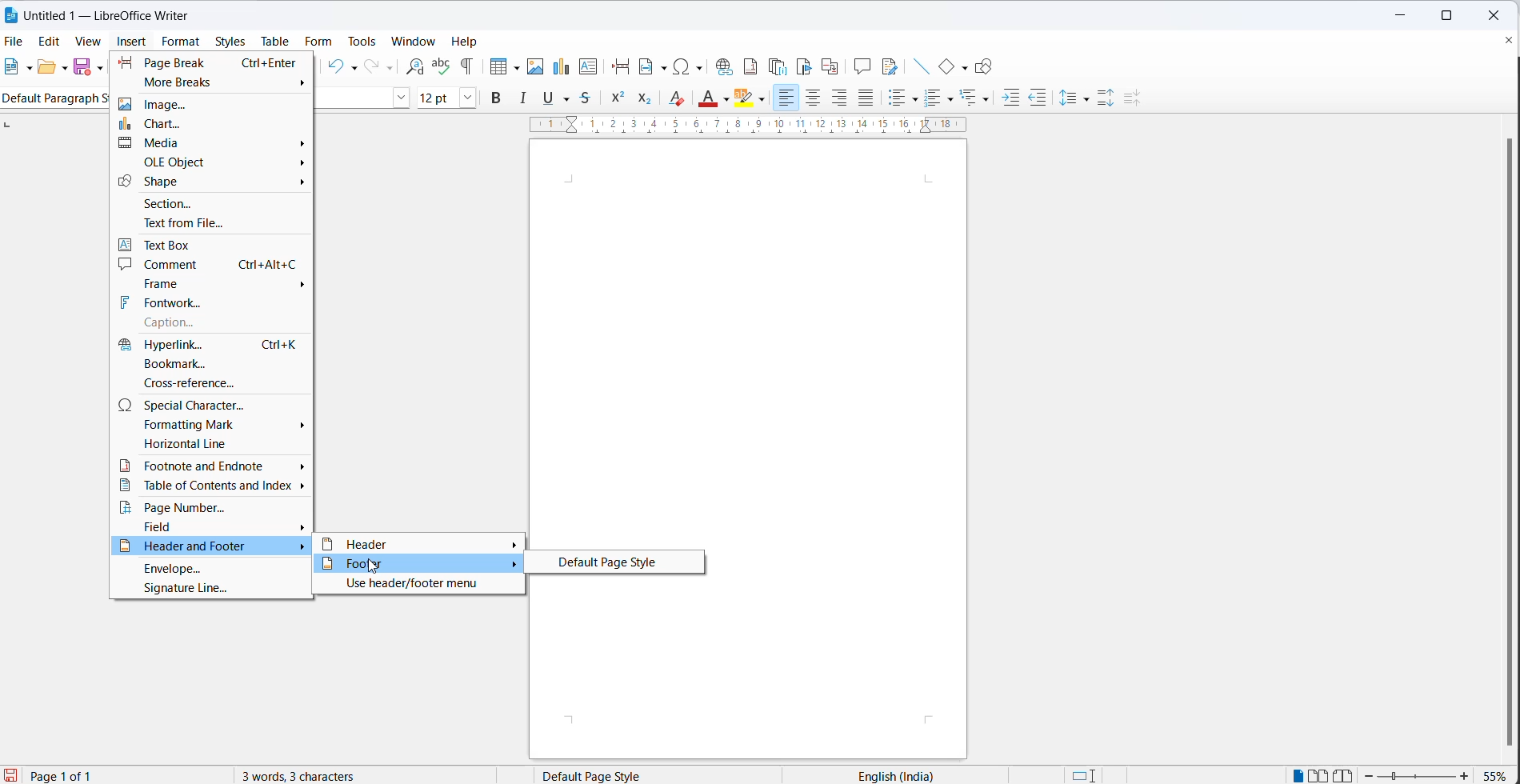 Image resolution: width=1520 pixels, height=784 pixels. Describe the element at coordinates (1446, 18) in the screenshot. I see `maximize` at that location.